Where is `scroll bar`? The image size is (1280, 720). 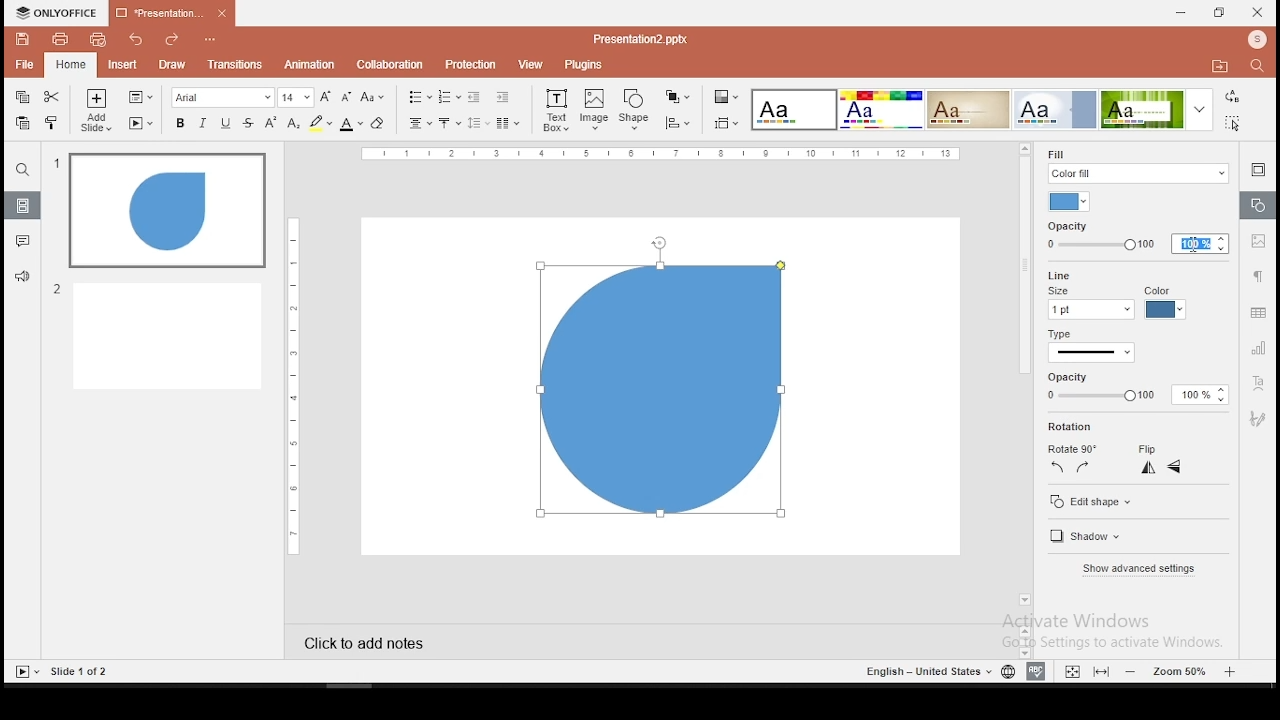
scroll bar is located at coordinates (1022, 382).